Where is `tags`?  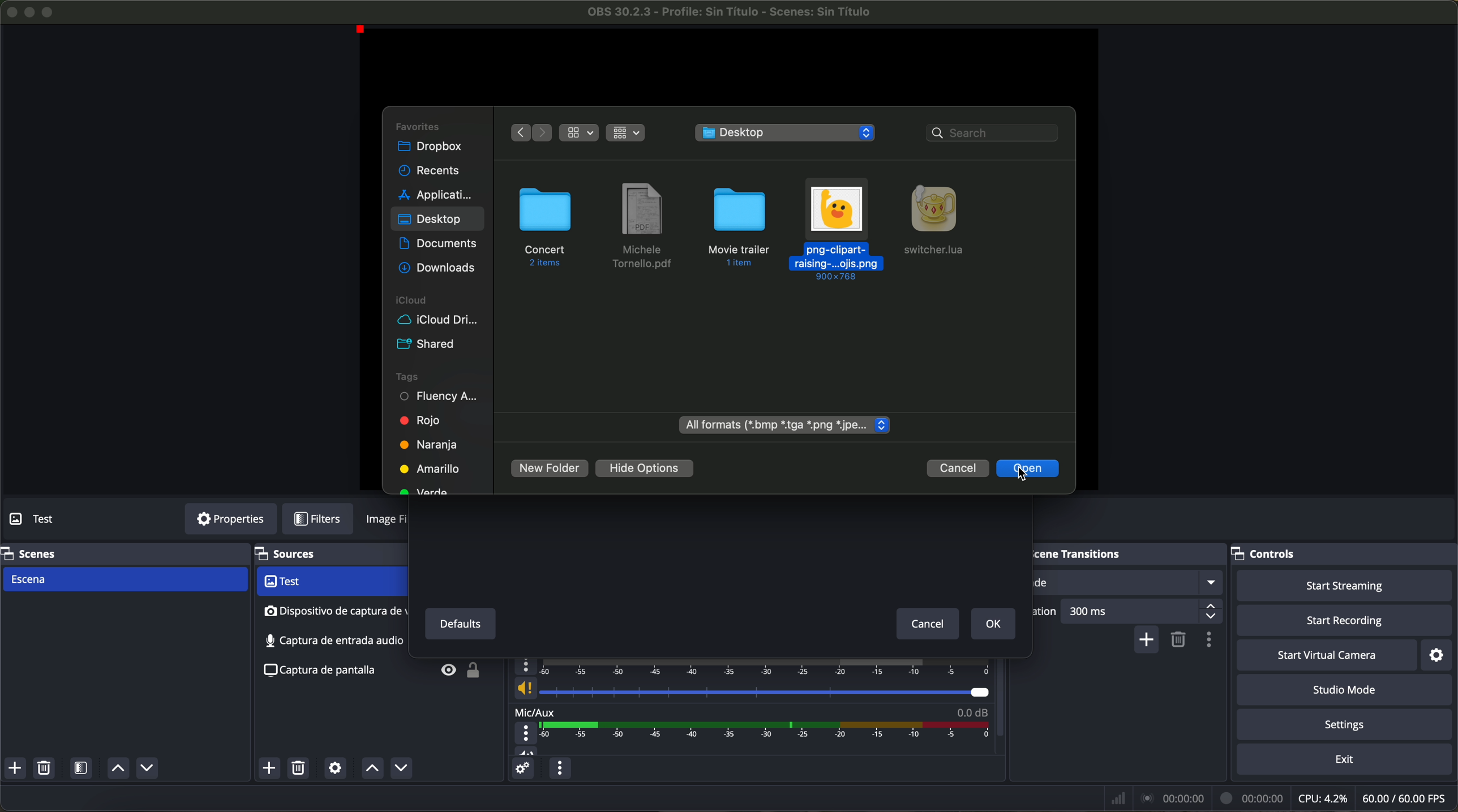 tags is located at coordinates (409, 377).